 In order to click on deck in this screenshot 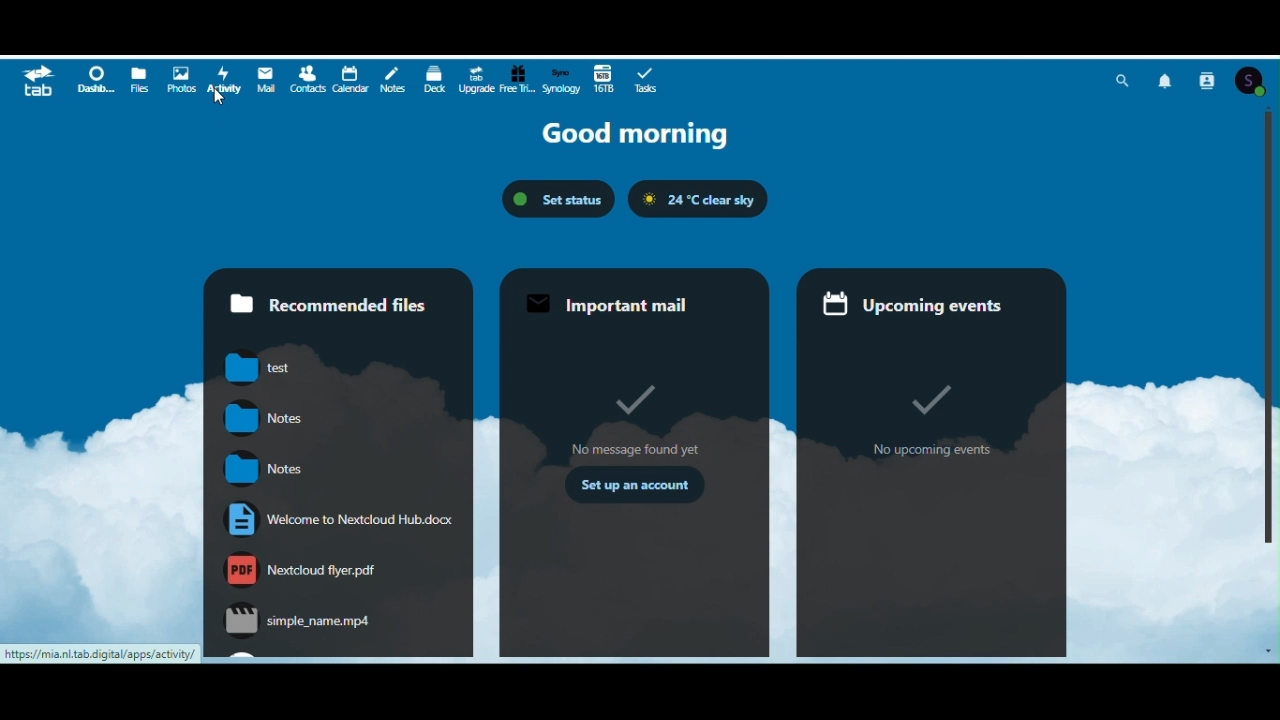, I will do `click(436, 79)`.